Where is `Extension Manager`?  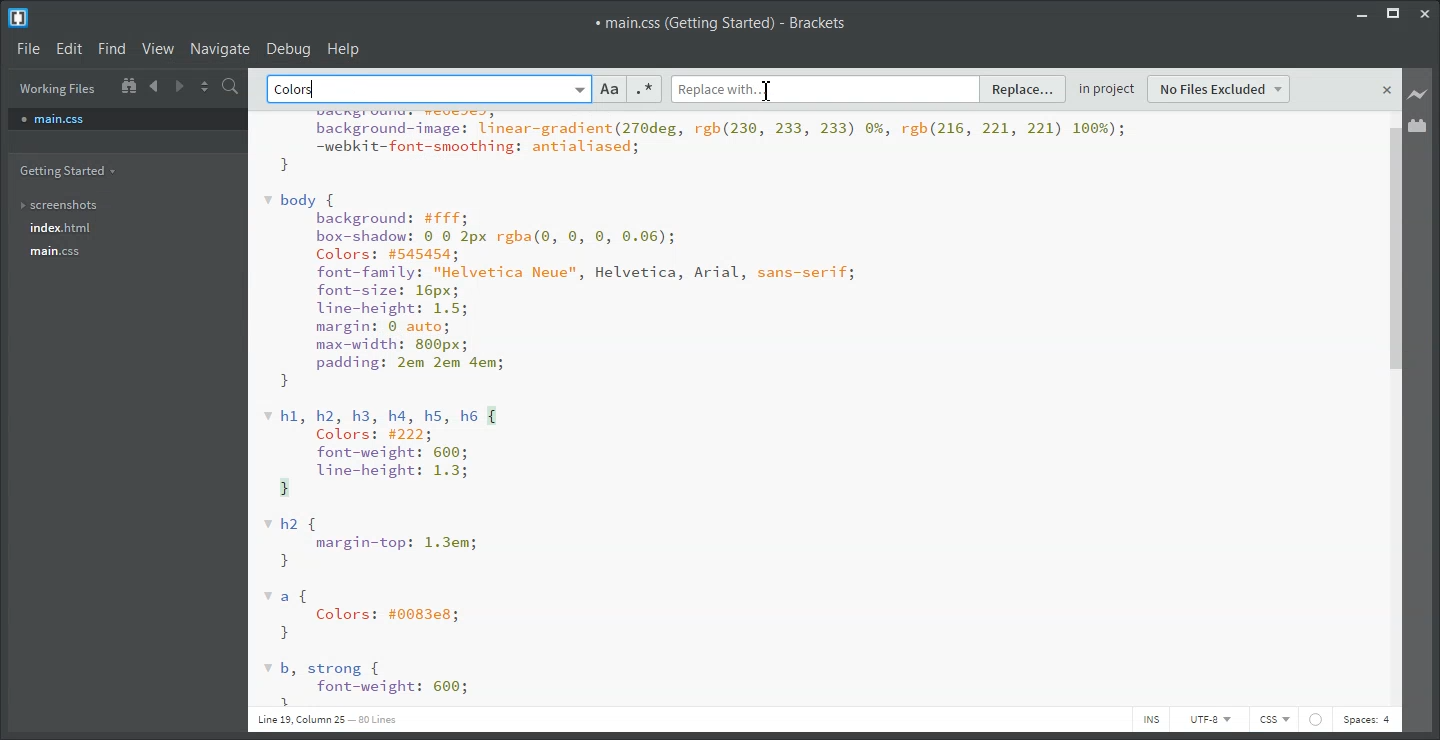 Extension Manager is located at coordinates (1418, 125).